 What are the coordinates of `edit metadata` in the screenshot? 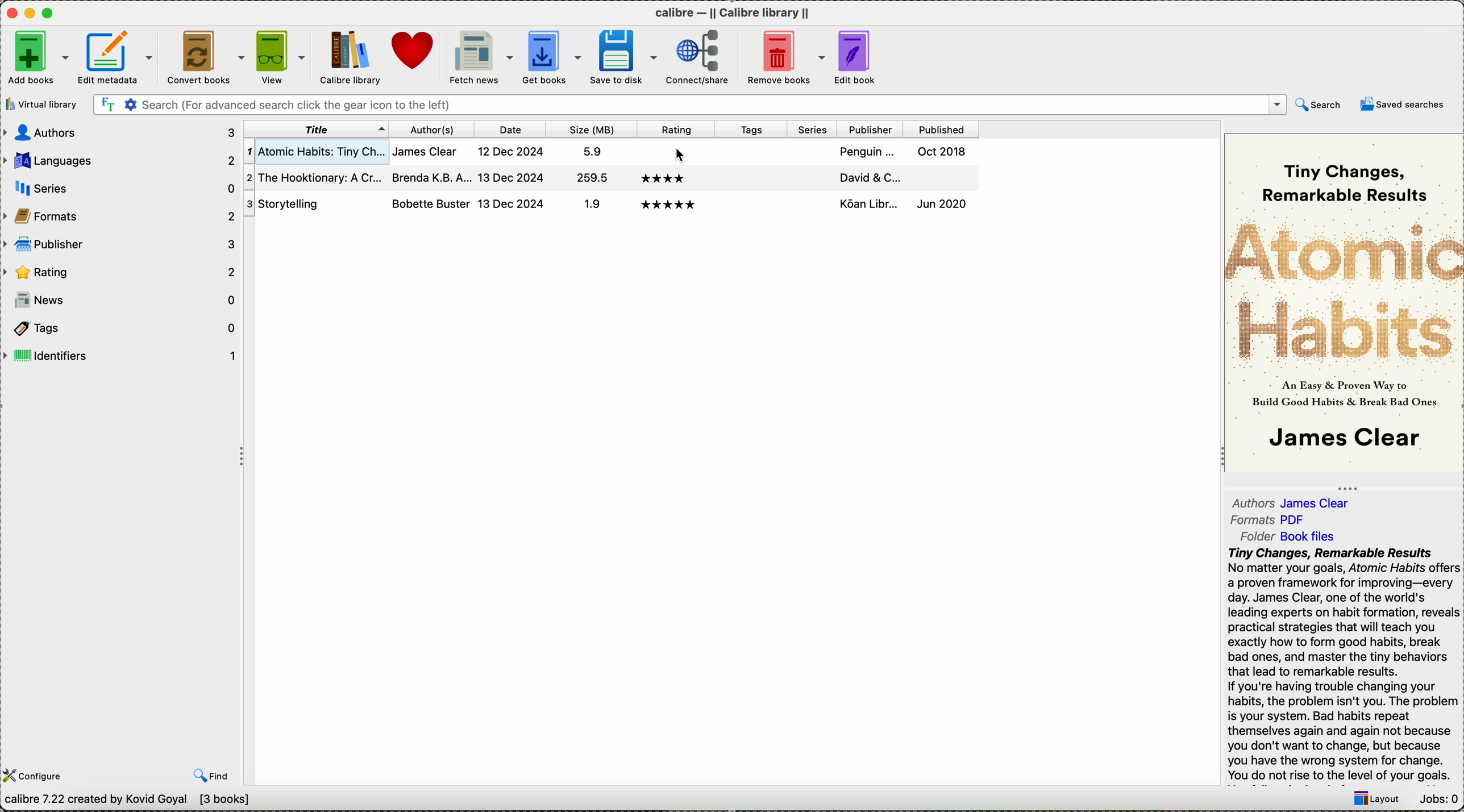 It's located at (117, 58).